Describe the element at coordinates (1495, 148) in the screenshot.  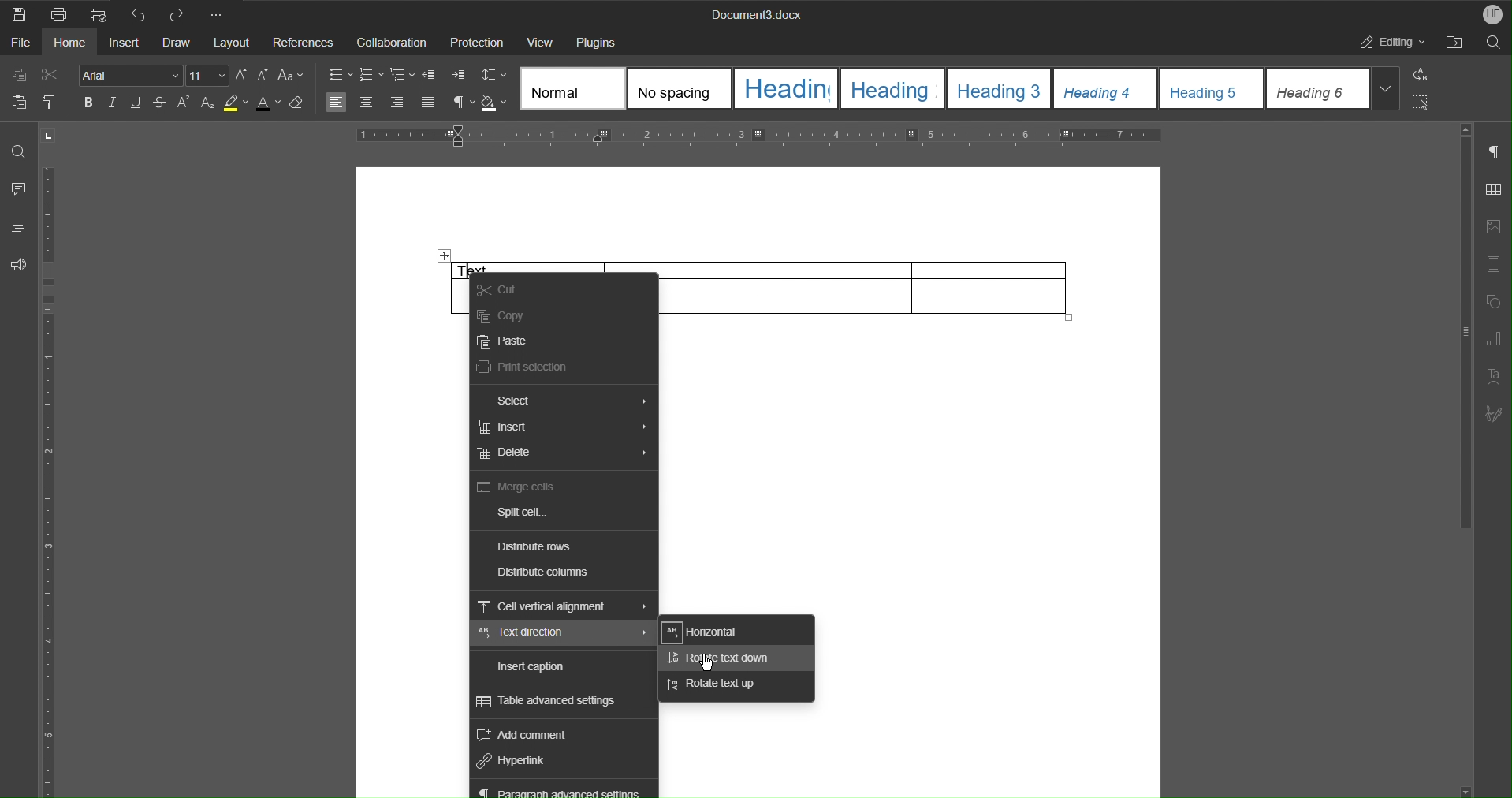
I see `Paragraph Settings` at that location.